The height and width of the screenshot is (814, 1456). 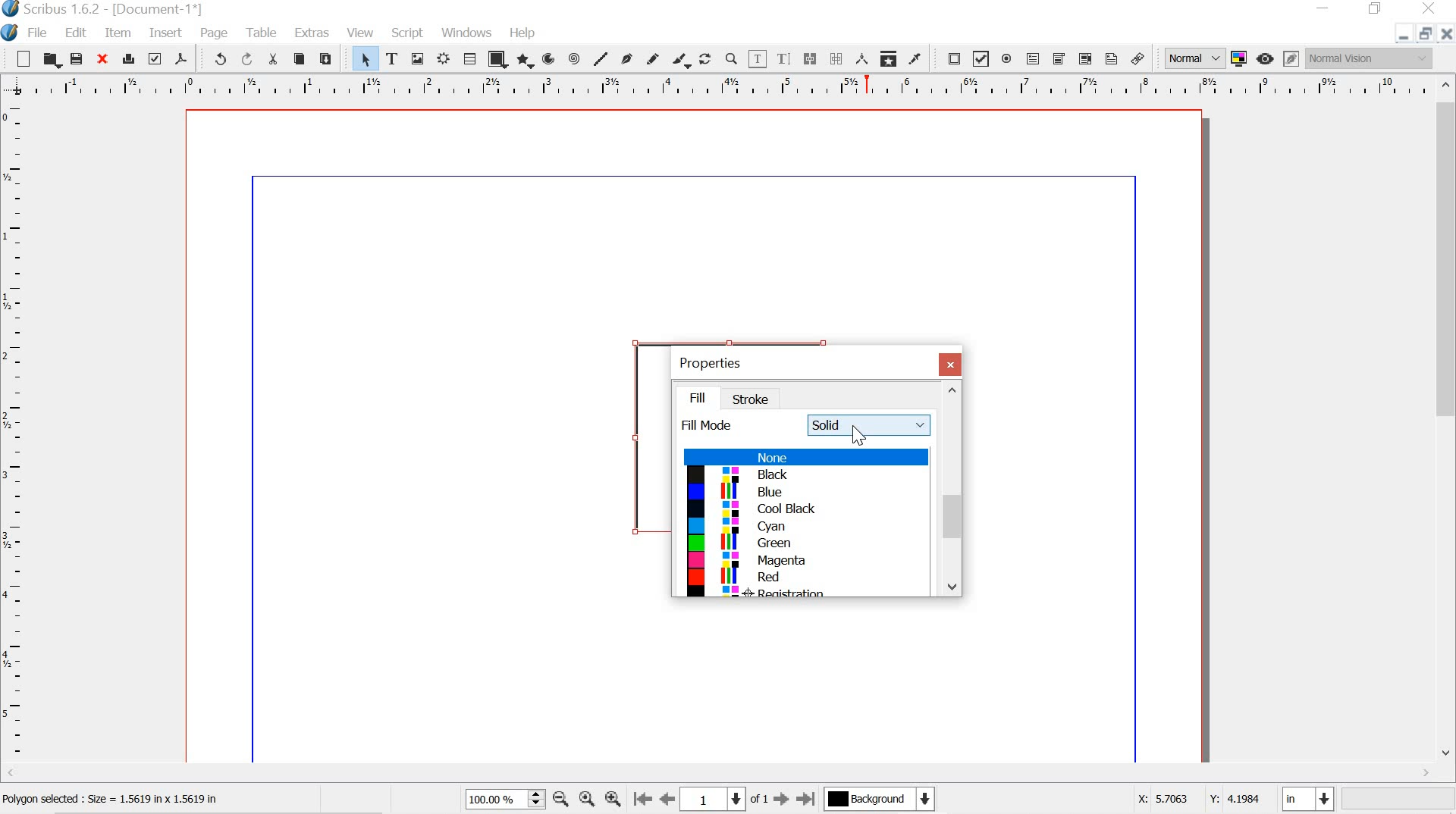 What do you see at coordinates (629, 432) in the screenshot?
I see `selected shape` at bounding box center [629, 432].